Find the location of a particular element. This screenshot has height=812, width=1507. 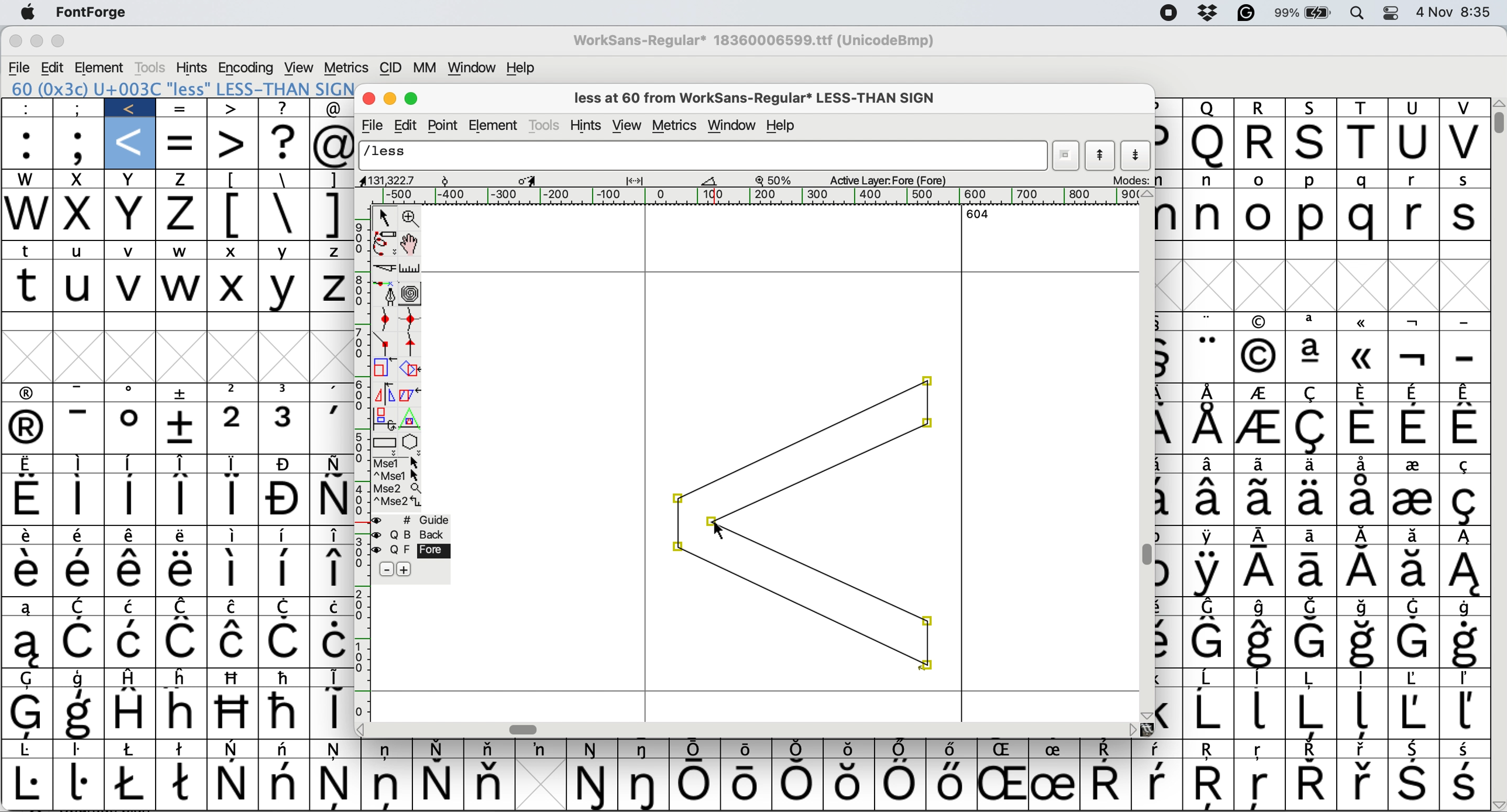

s is located at coordinates (1464, 181).